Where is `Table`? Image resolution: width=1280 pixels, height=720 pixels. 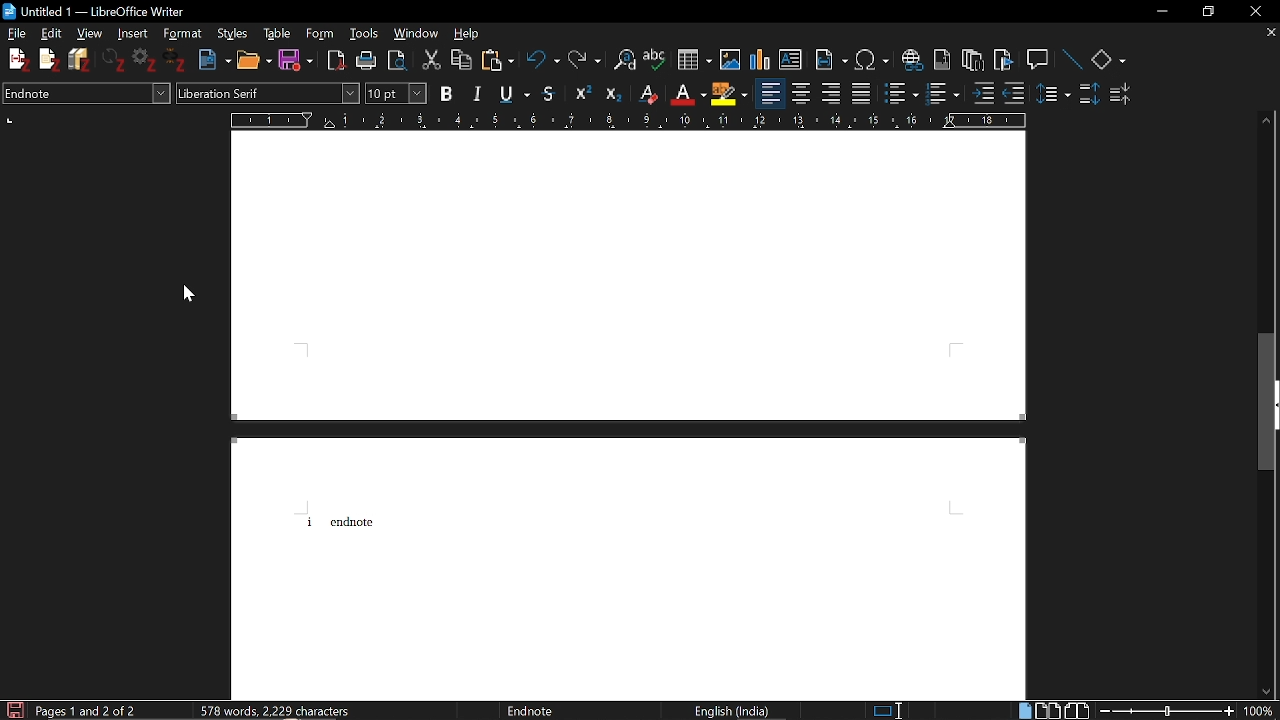 Table is located at coordinates (277, 33).